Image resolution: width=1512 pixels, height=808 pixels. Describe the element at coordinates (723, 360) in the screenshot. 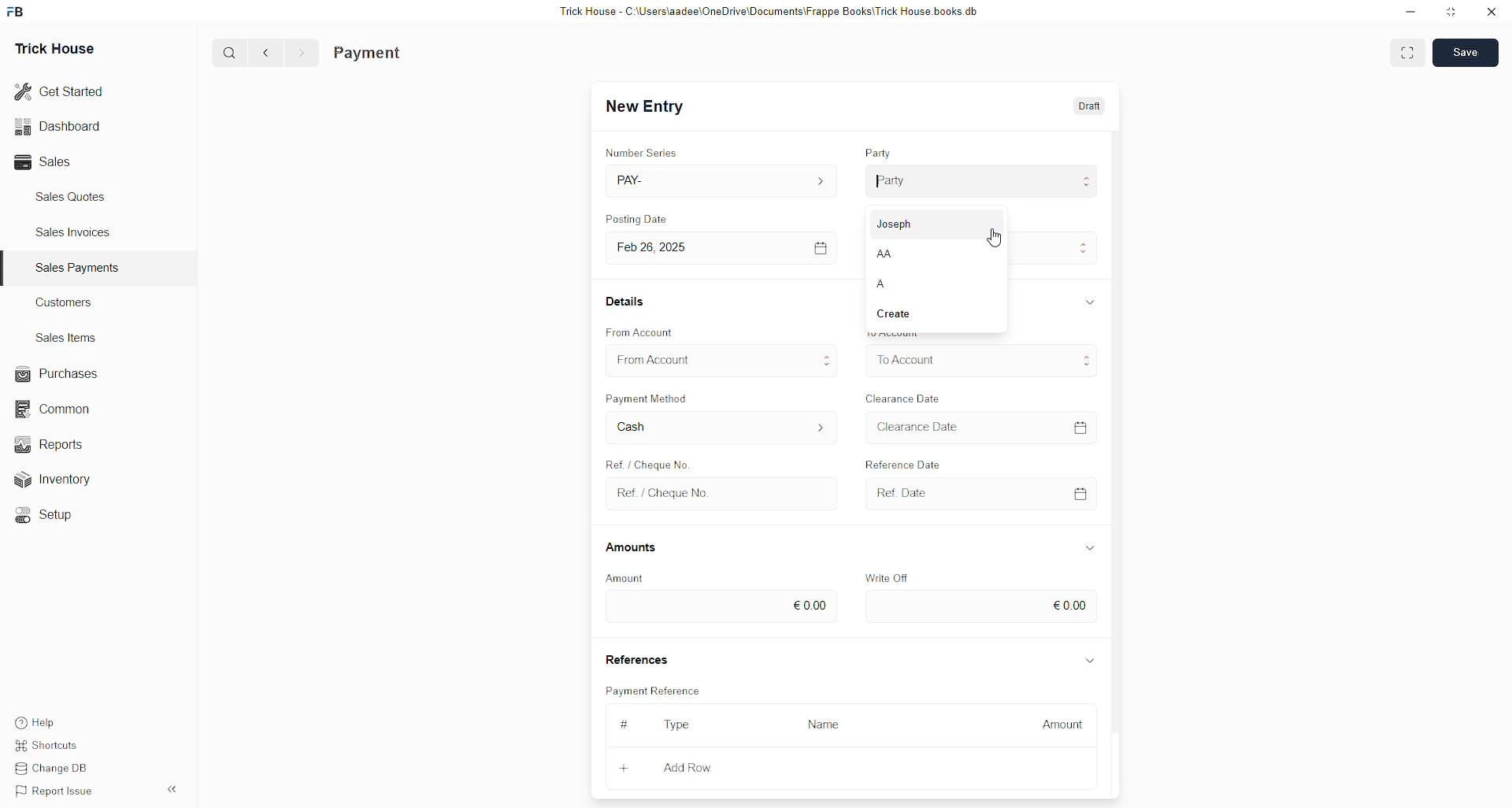

I see `From Account` at that location.